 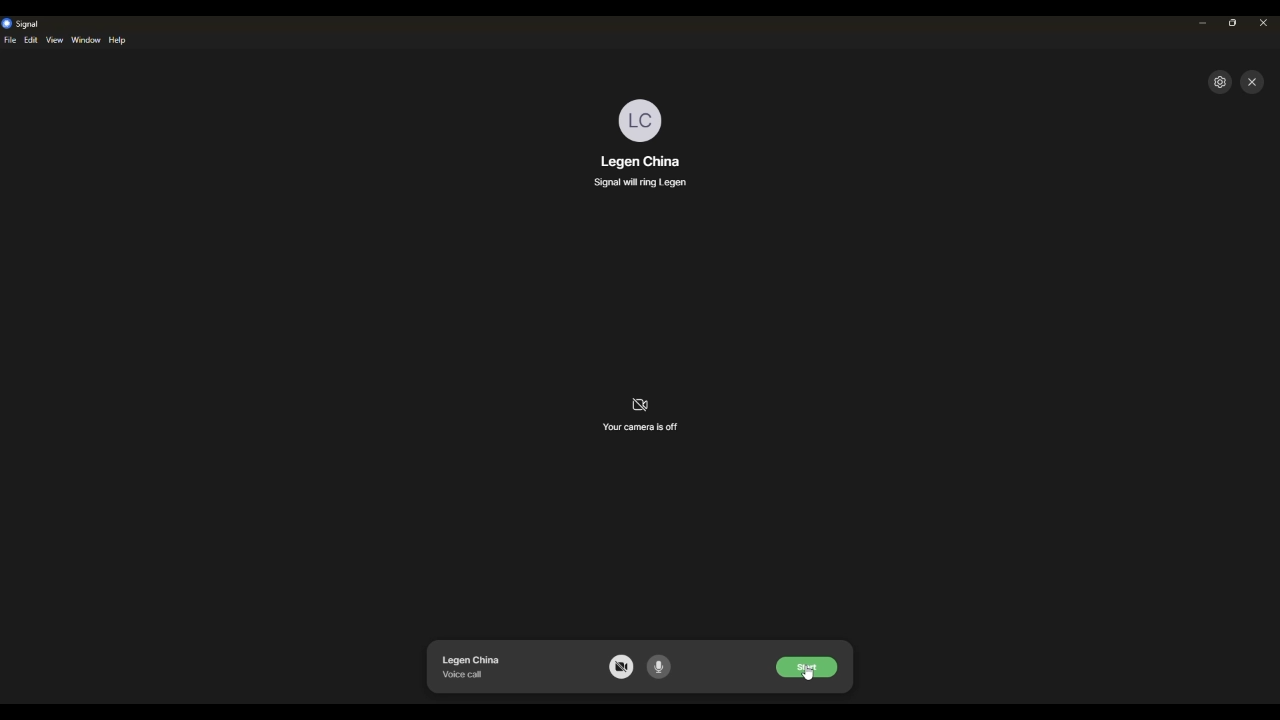 What do you see at coordinates (810, 675) in the screenshot?
I see `cursor` at bounding box center [810, 675].